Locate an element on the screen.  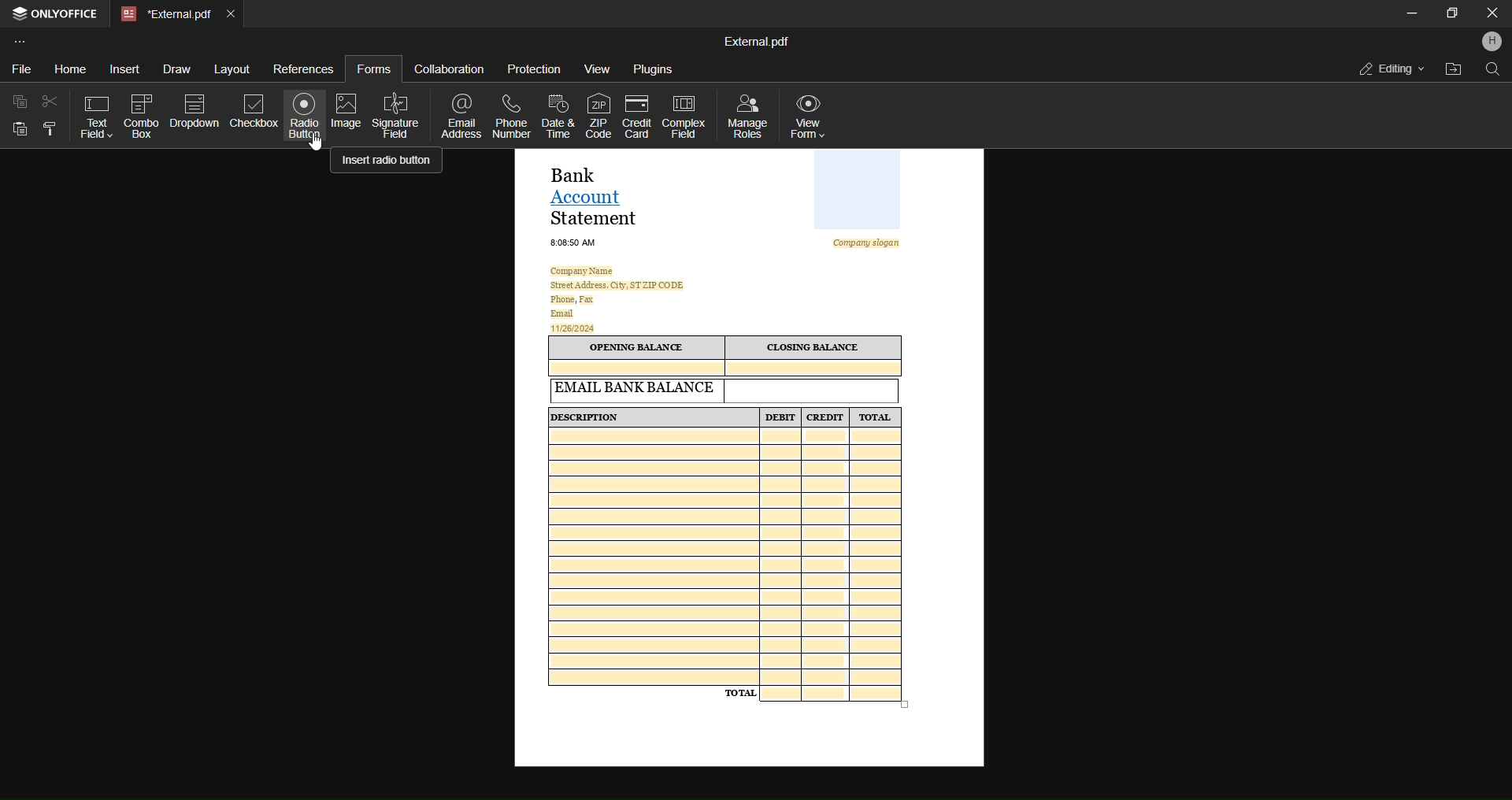
plugins is located at coordinates (650, 69).